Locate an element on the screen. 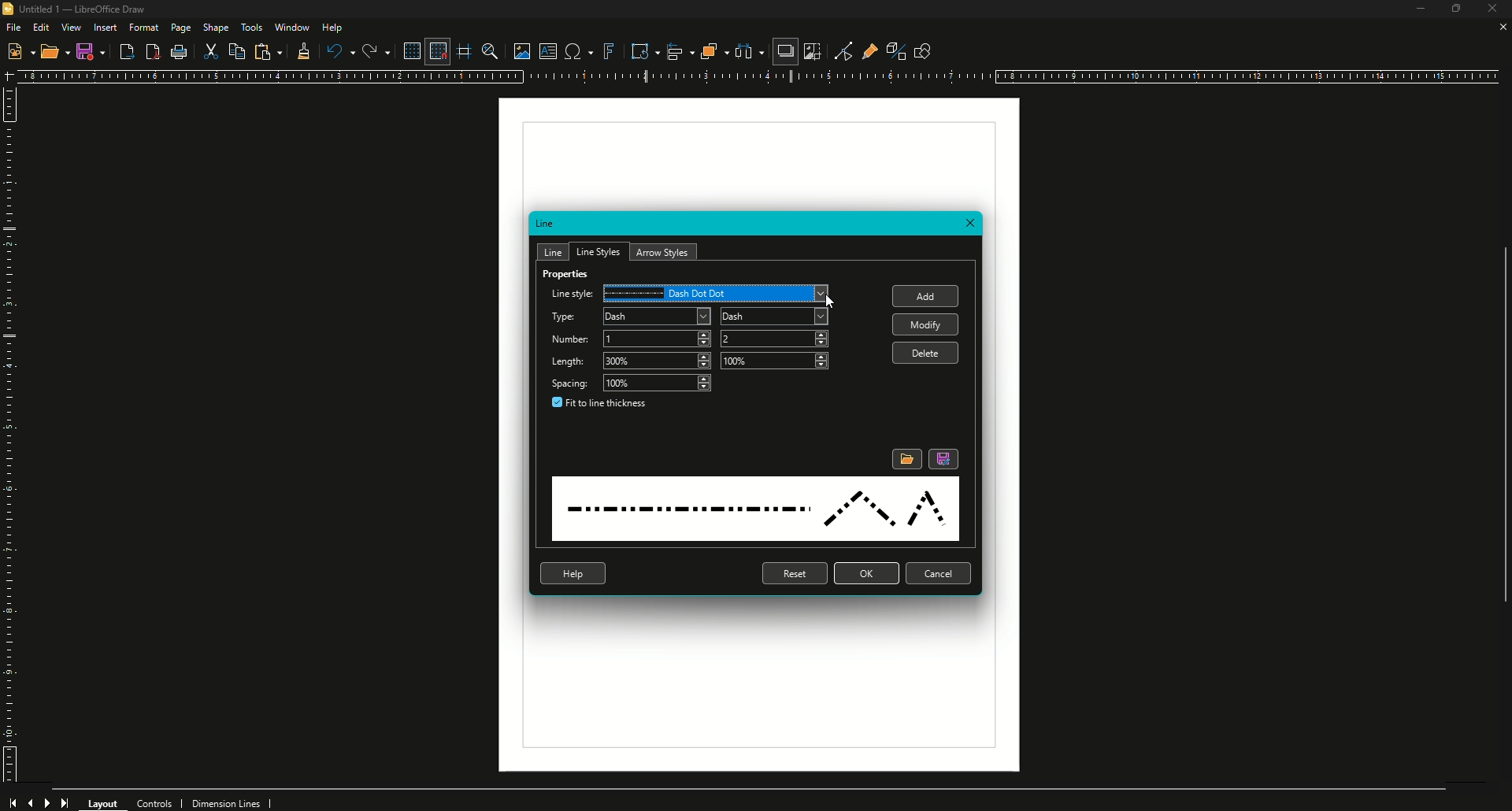 Image resolution: width=1512 pixels, height=811 pixels. scroll is located at coordinates (1497, 437).